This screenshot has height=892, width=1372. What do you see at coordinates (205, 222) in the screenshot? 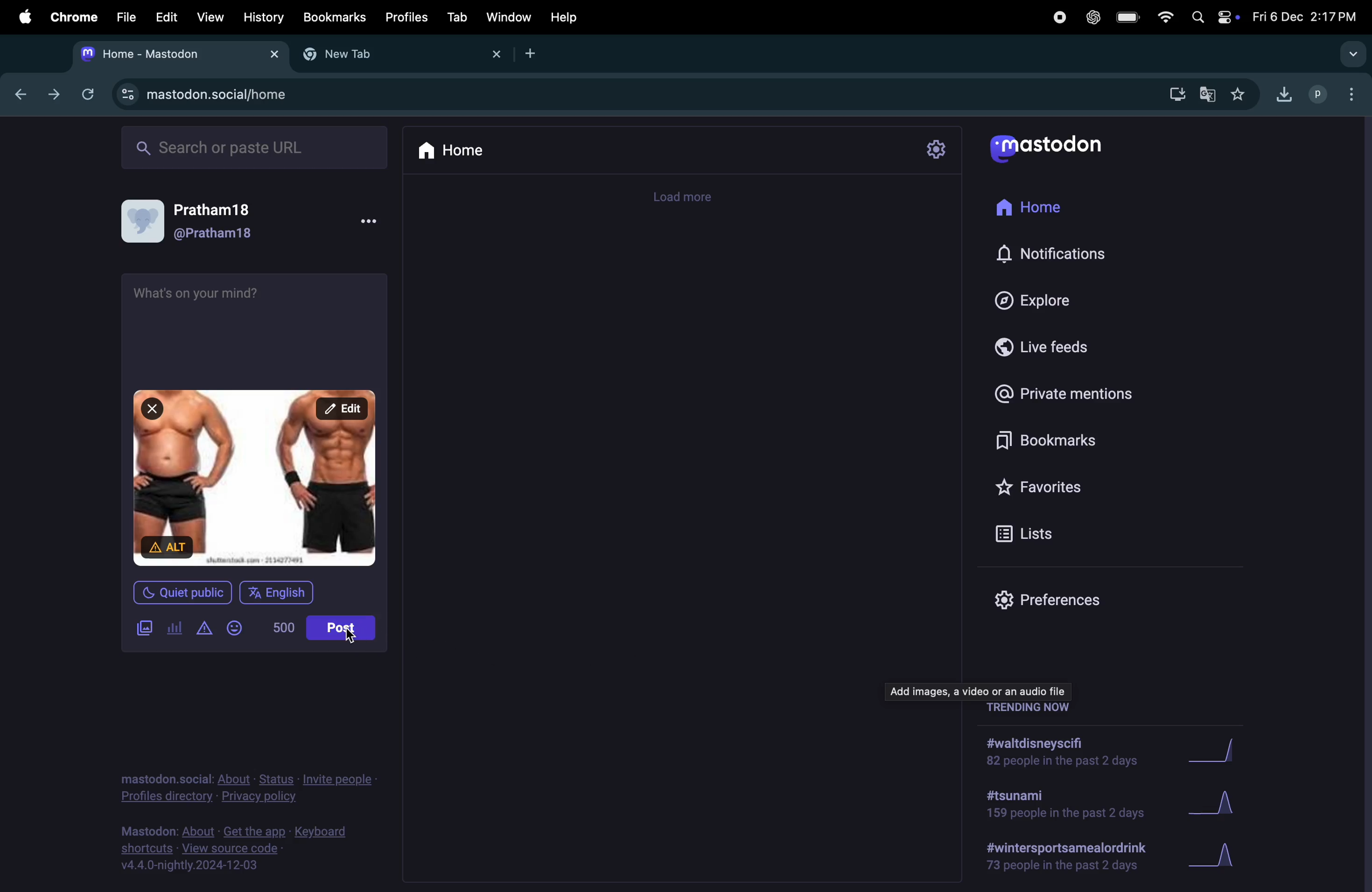
I see `user profile` at bounding box center [205, 222].